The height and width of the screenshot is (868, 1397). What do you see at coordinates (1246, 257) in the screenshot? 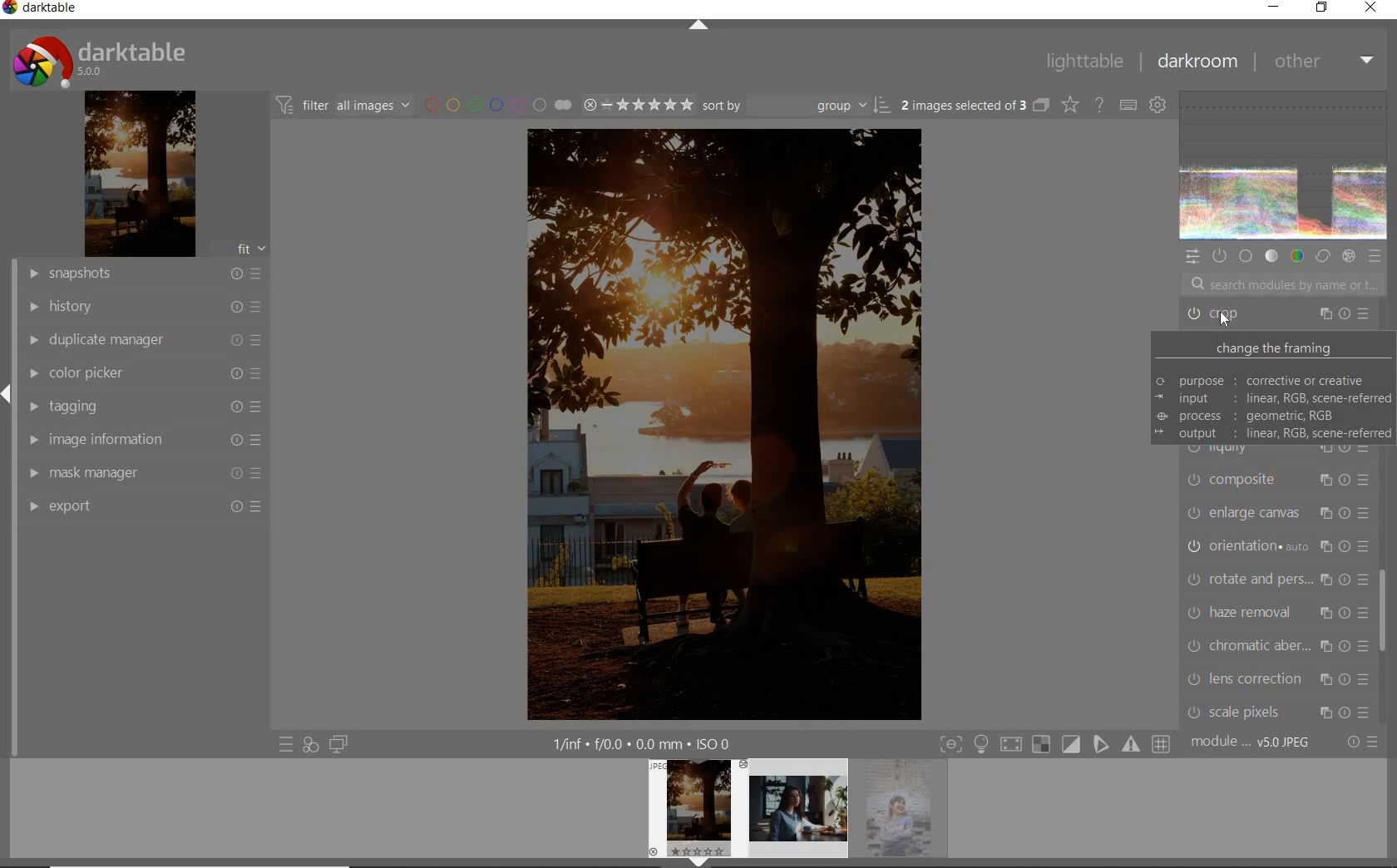
I see `base` at bounding box center [1246, 257].